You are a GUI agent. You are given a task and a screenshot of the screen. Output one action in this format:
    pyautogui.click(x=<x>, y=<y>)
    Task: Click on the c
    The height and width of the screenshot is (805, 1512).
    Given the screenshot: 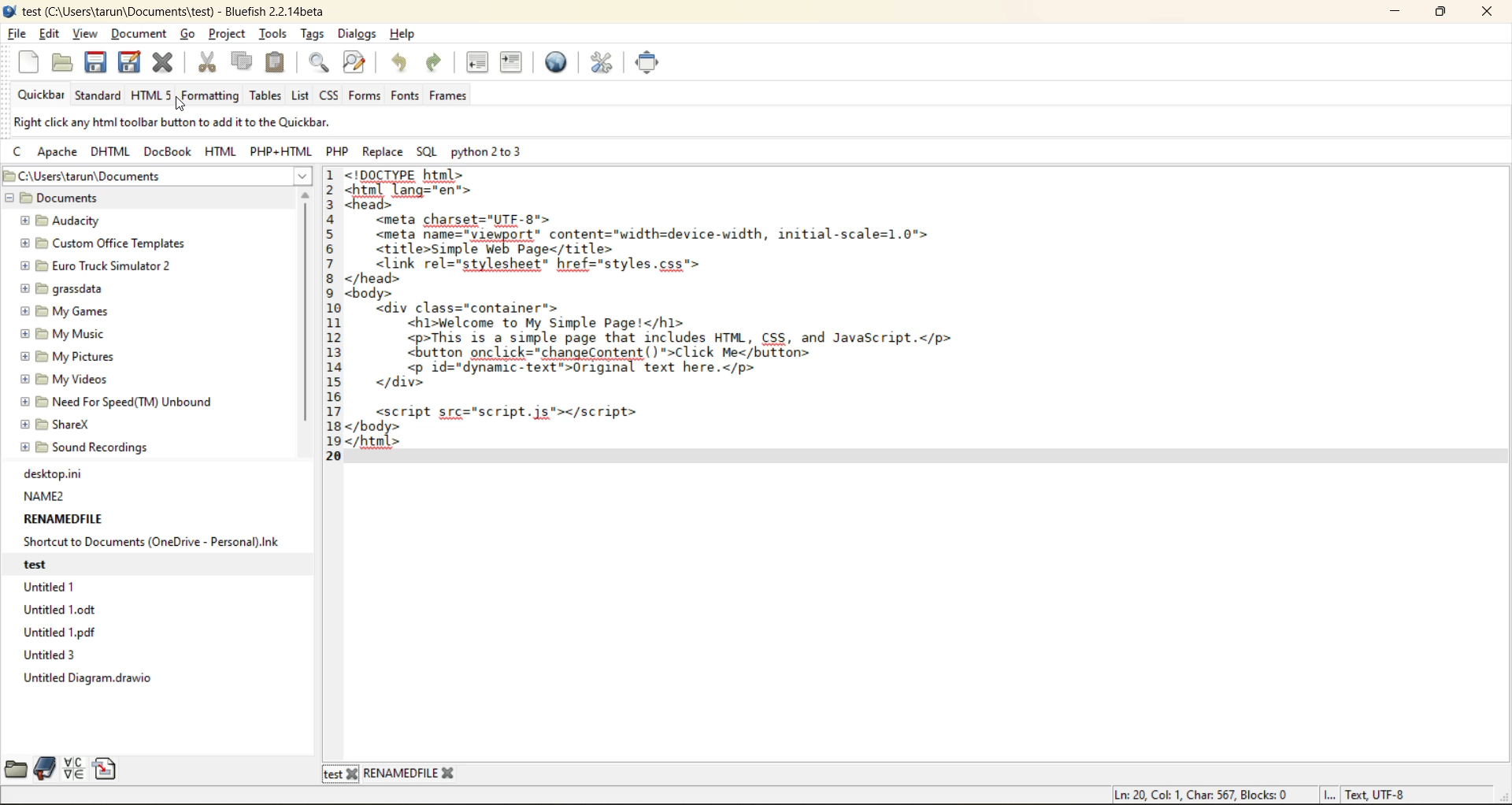 What is the action you would take?
    pyautogui.click(x=17, y=150)
    